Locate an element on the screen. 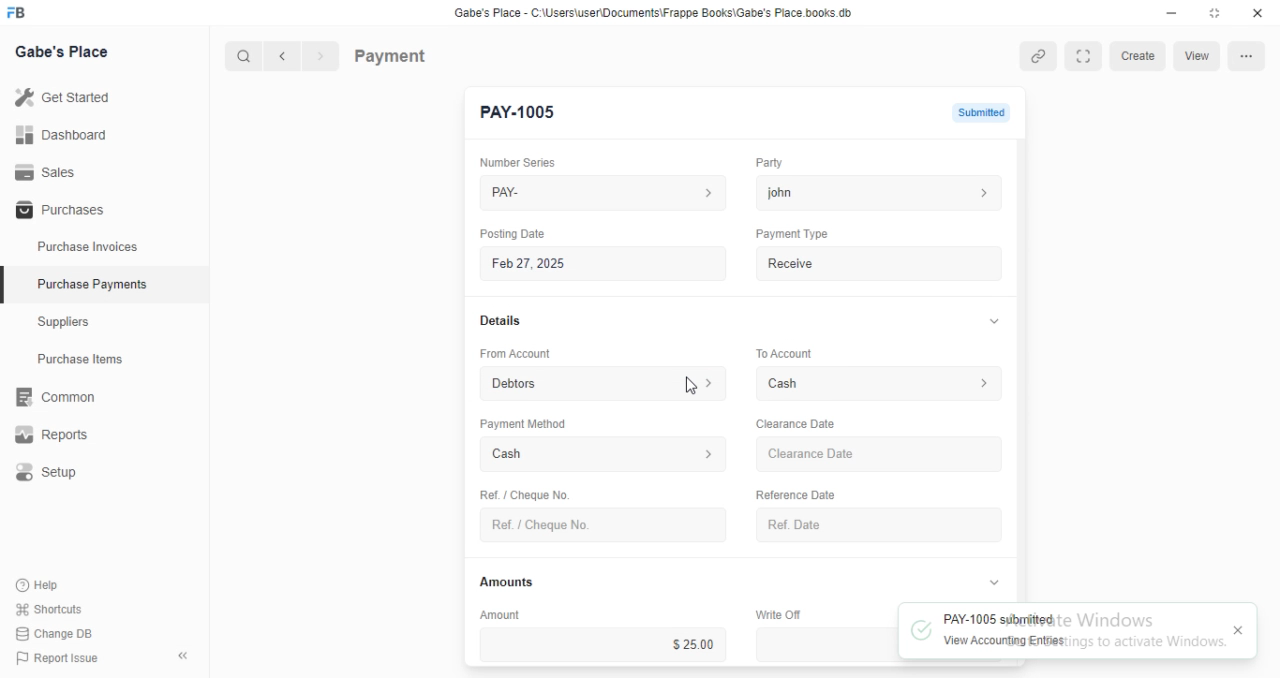  Debtors is located at coordinates (605, 382).